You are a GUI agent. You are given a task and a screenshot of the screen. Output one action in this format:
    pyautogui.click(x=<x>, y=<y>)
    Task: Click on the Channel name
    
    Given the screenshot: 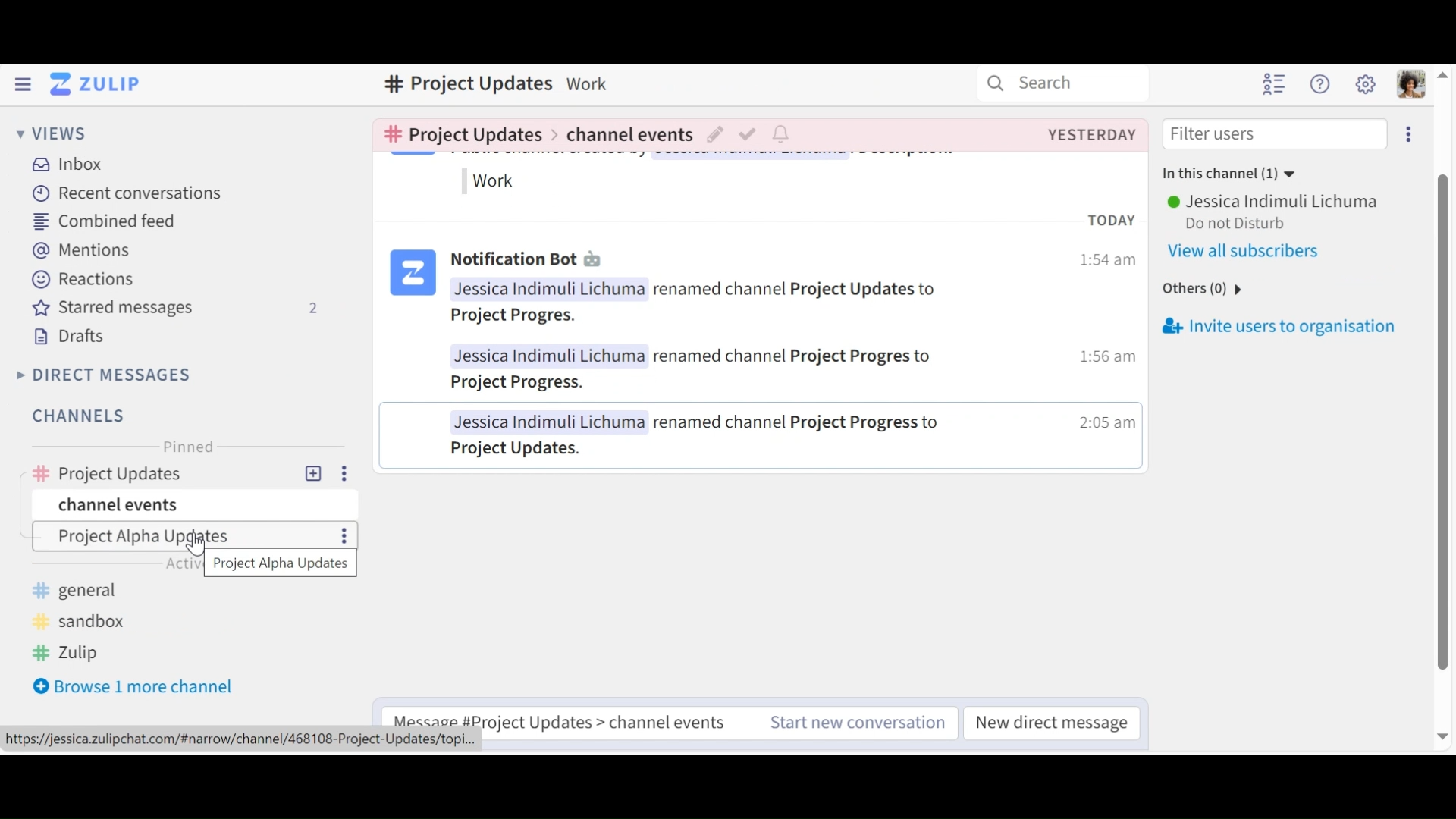 What is the action you would take?
    pyautogui.click(x=466, y=84)
    